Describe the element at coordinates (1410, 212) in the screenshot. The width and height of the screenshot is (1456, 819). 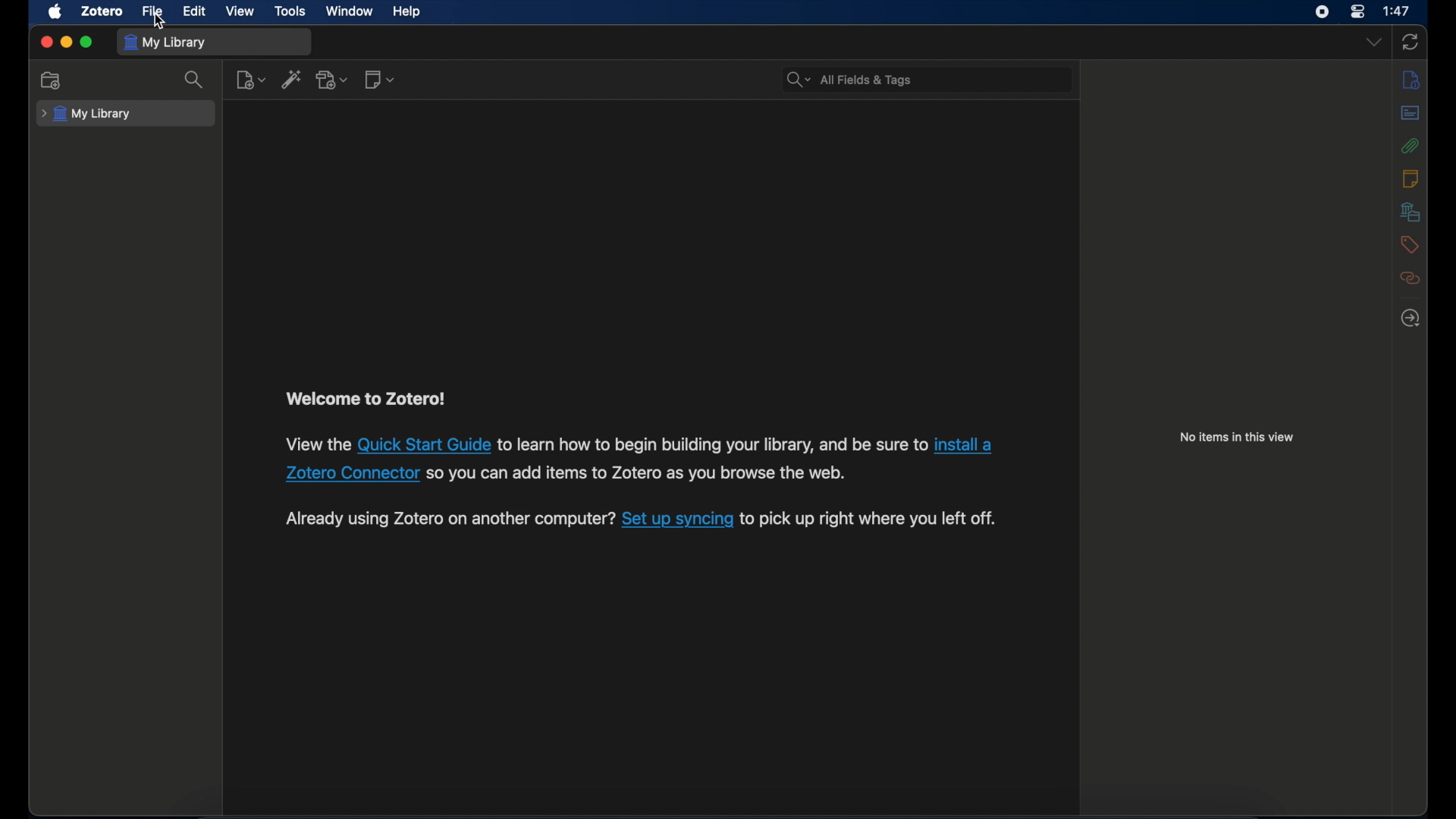
I see `libraries` at that location.